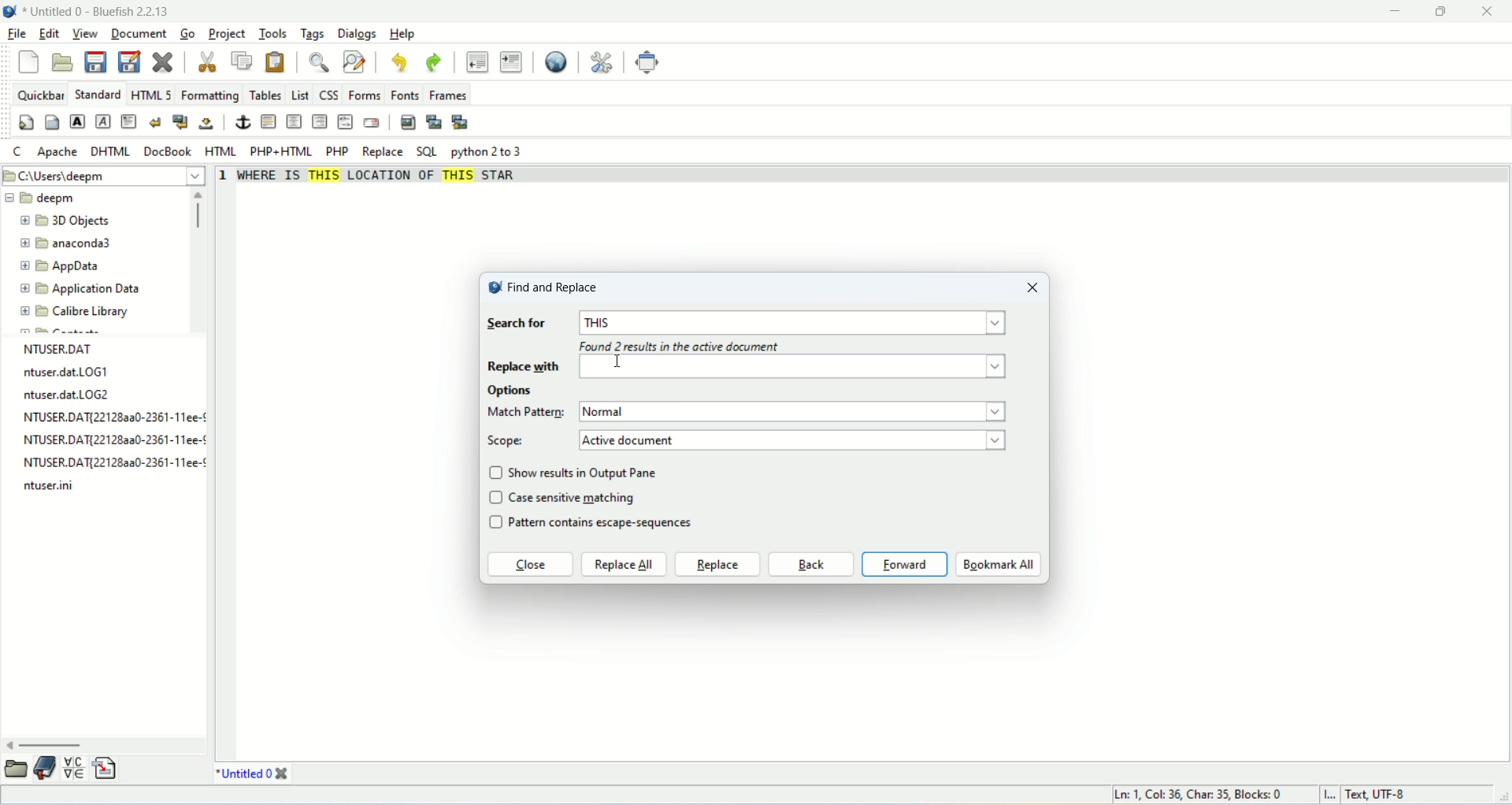 This screenshot has width=1512, height=805. What do you see at coordinates (242, 122) in the screenshot?
I see `anchor` at bounding box center [242, 122].